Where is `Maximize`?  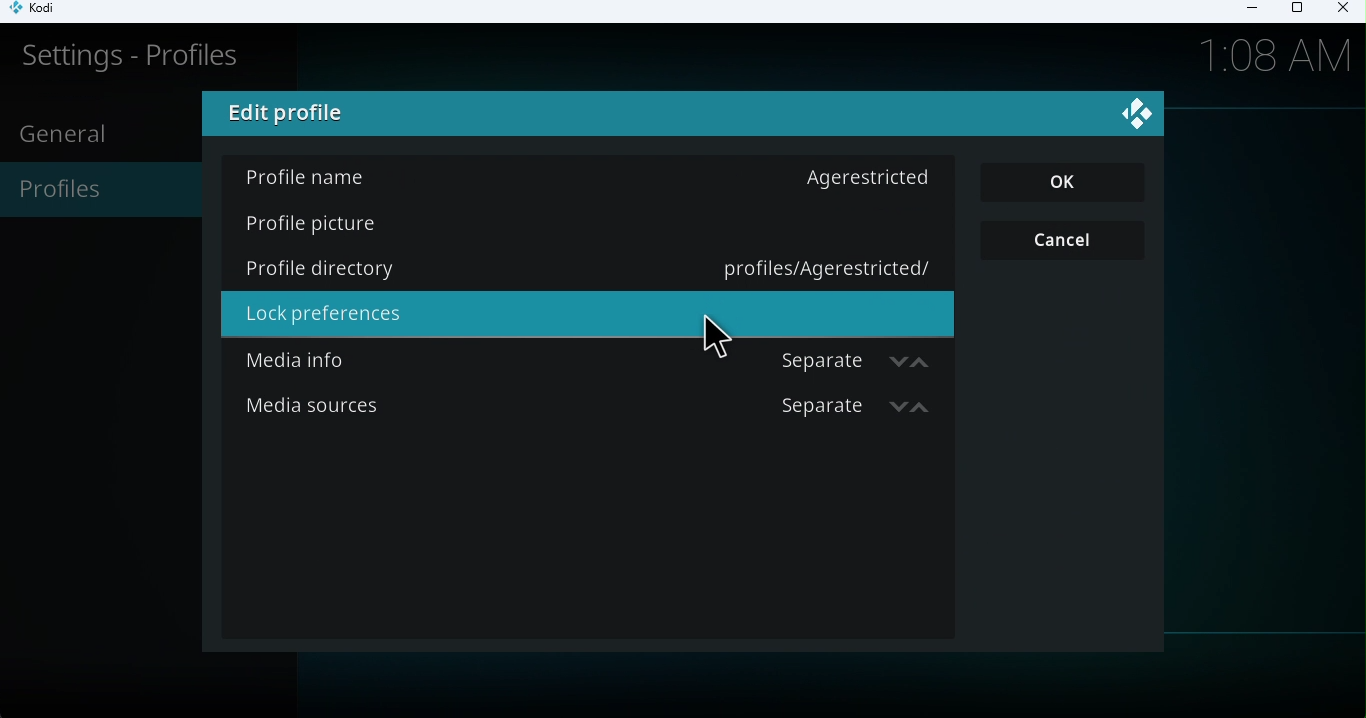 Maximize is located at coordinates (1296, 12).